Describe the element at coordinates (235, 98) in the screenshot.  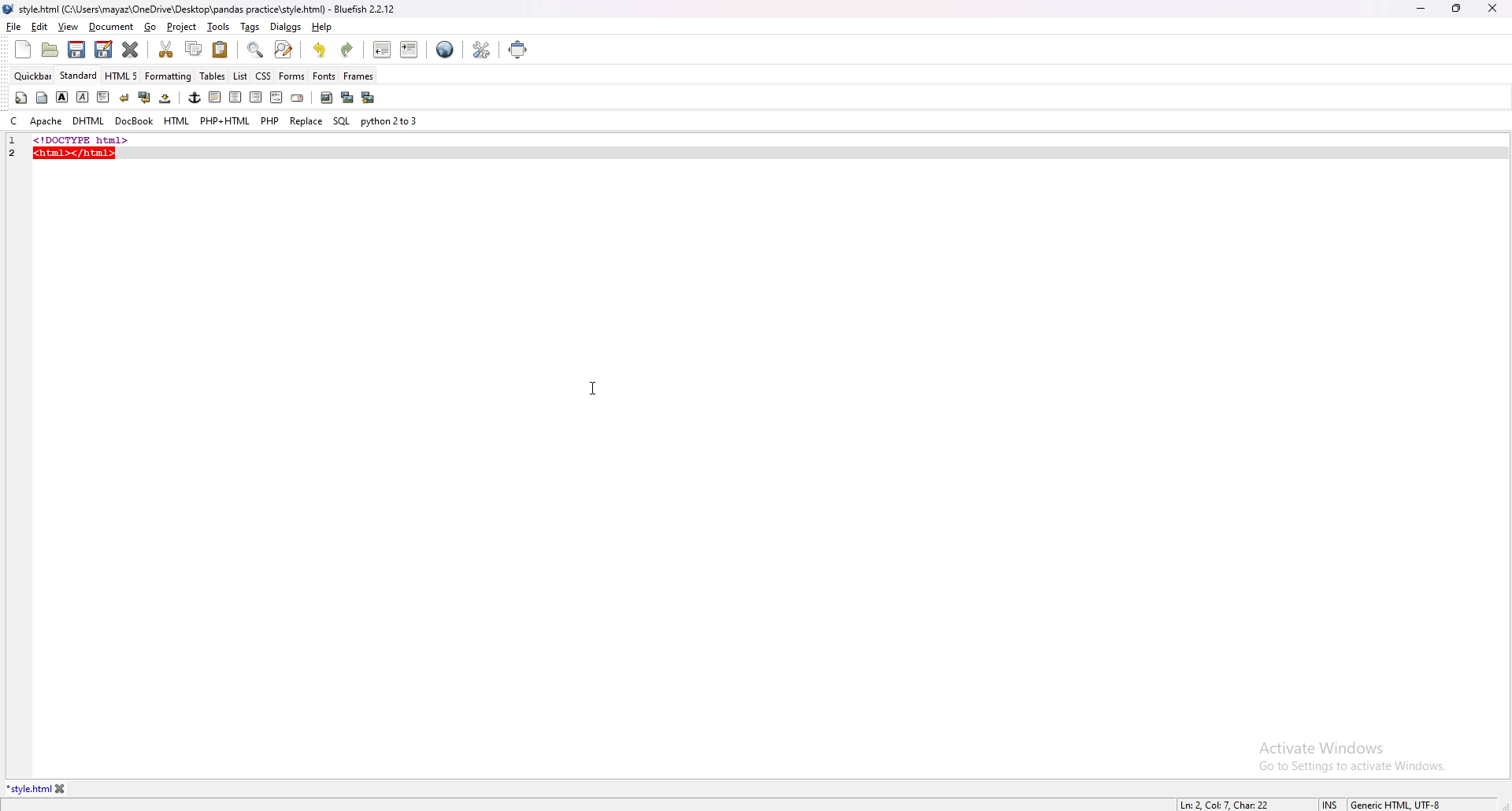
I see `center` at that location.